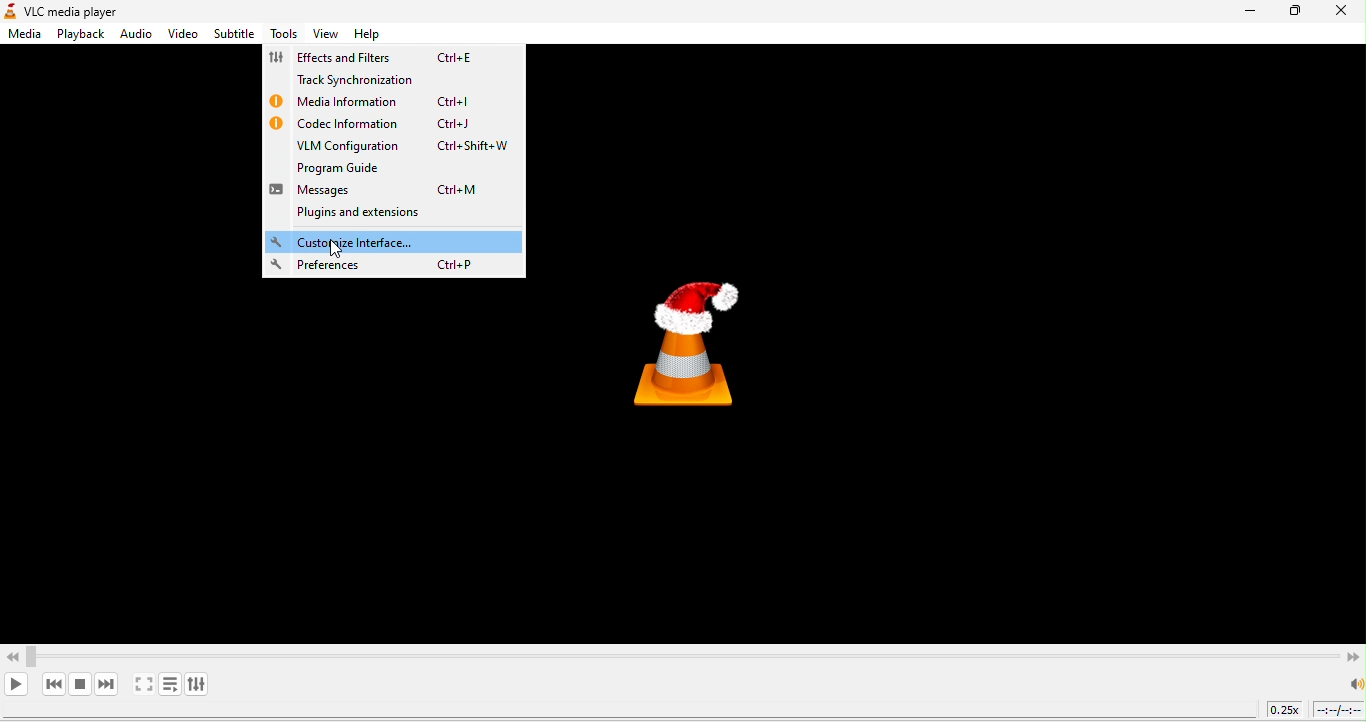  Describe the element at coordinates (339, 252) in the screenshot. I see `cursor movement` at that location.